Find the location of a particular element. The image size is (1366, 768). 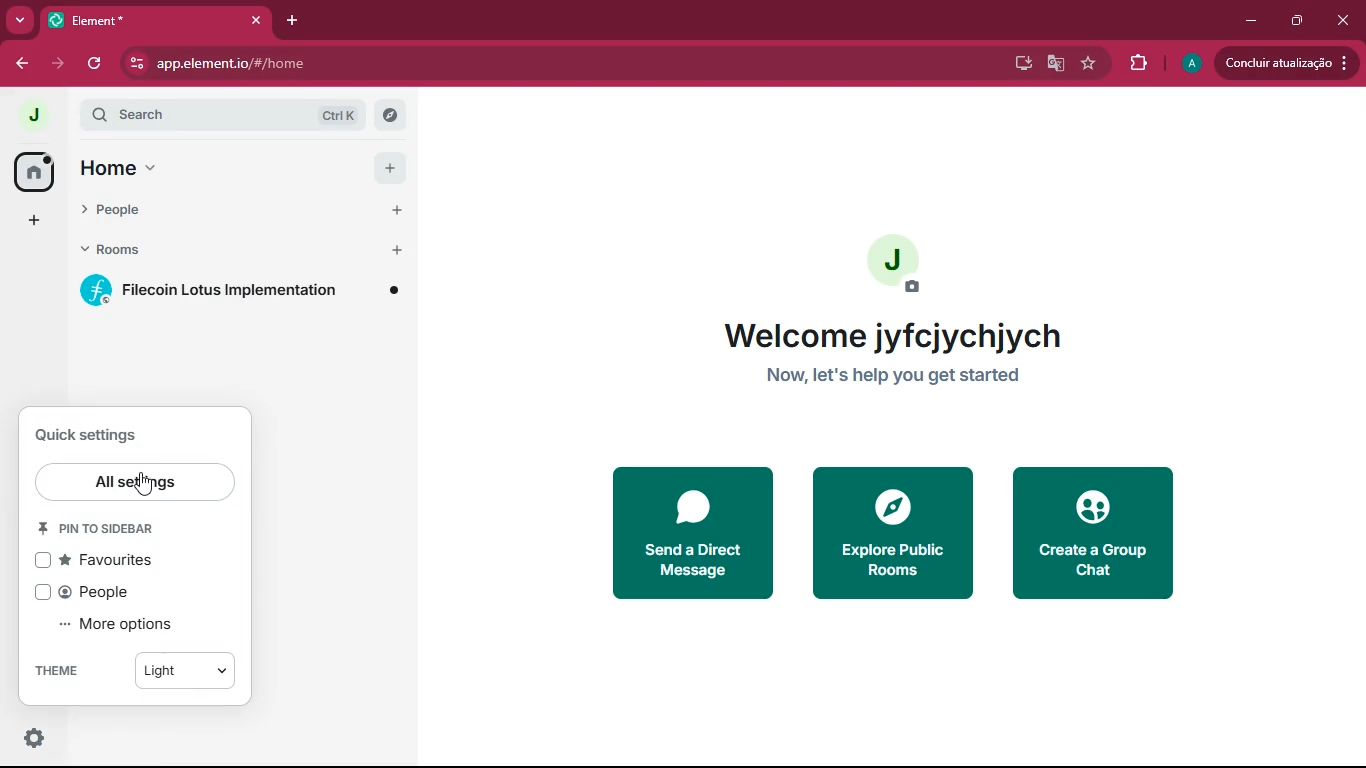

refresh is located at coordinates (96, 65).